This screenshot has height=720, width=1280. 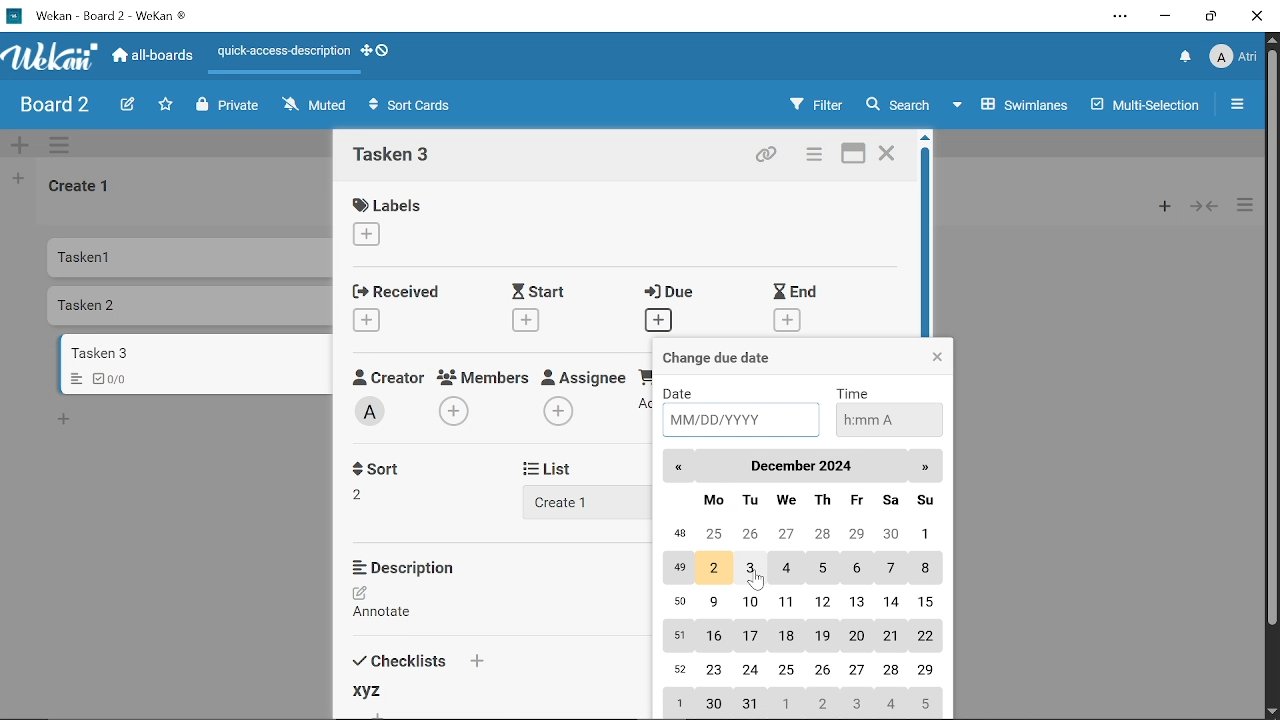 What do you see at coordinates (394, 290) in the screenshot?
I see `Received` at bounding box center [394, 290].